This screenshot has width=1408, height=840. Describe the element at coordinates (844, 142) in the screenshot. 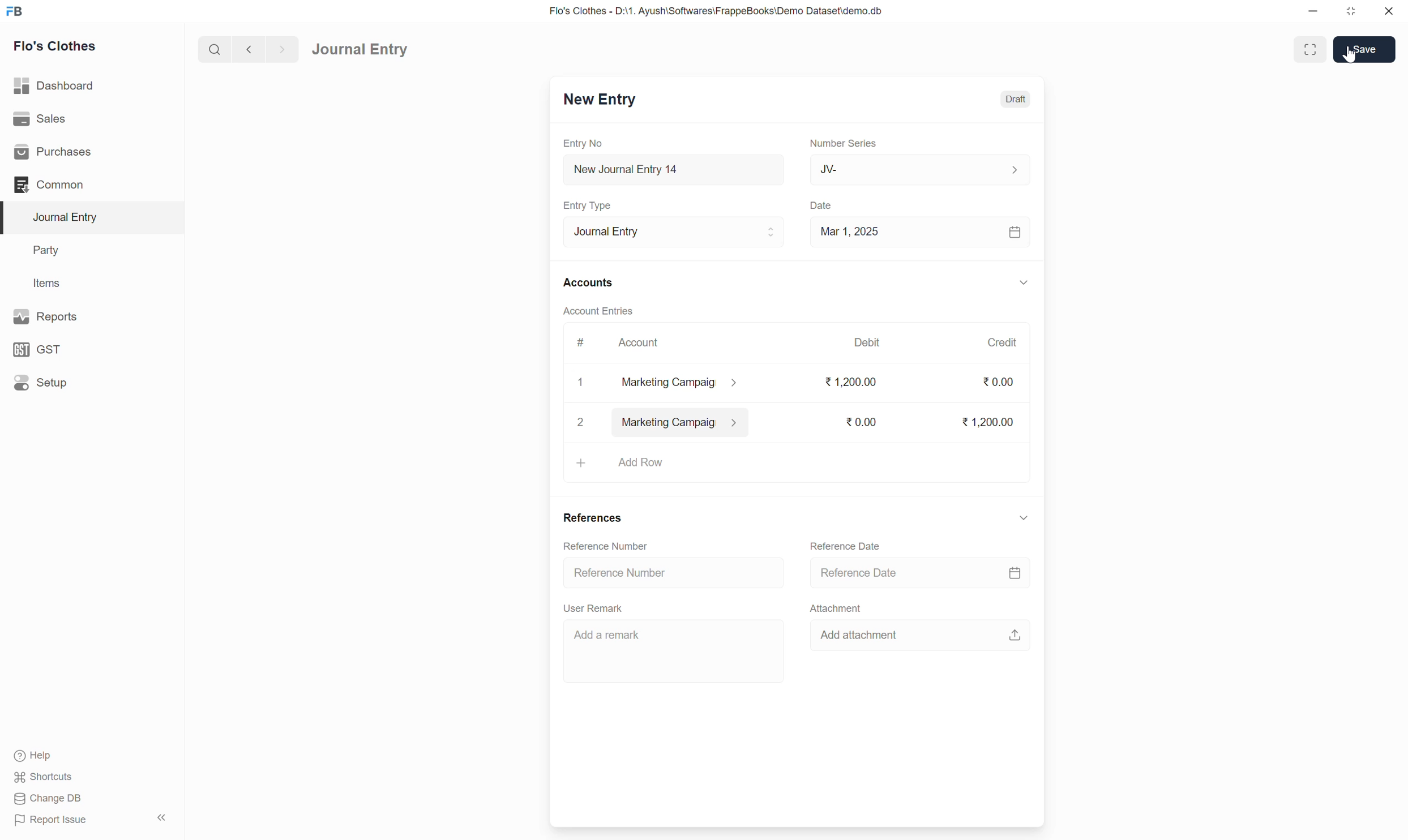

I see `Number Series` at that location.